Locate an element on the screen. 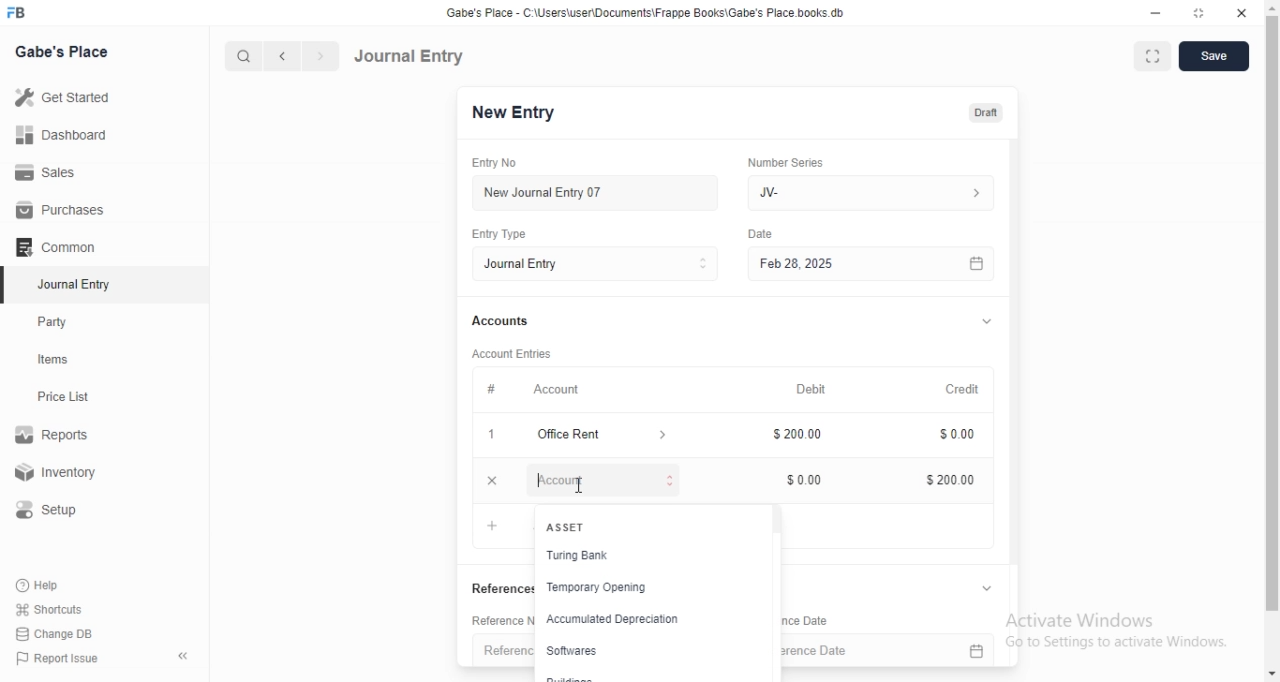 Image resolution: width=1280 pixels, height=682 pixels. + ASSET is located at coordinates (569, 528).